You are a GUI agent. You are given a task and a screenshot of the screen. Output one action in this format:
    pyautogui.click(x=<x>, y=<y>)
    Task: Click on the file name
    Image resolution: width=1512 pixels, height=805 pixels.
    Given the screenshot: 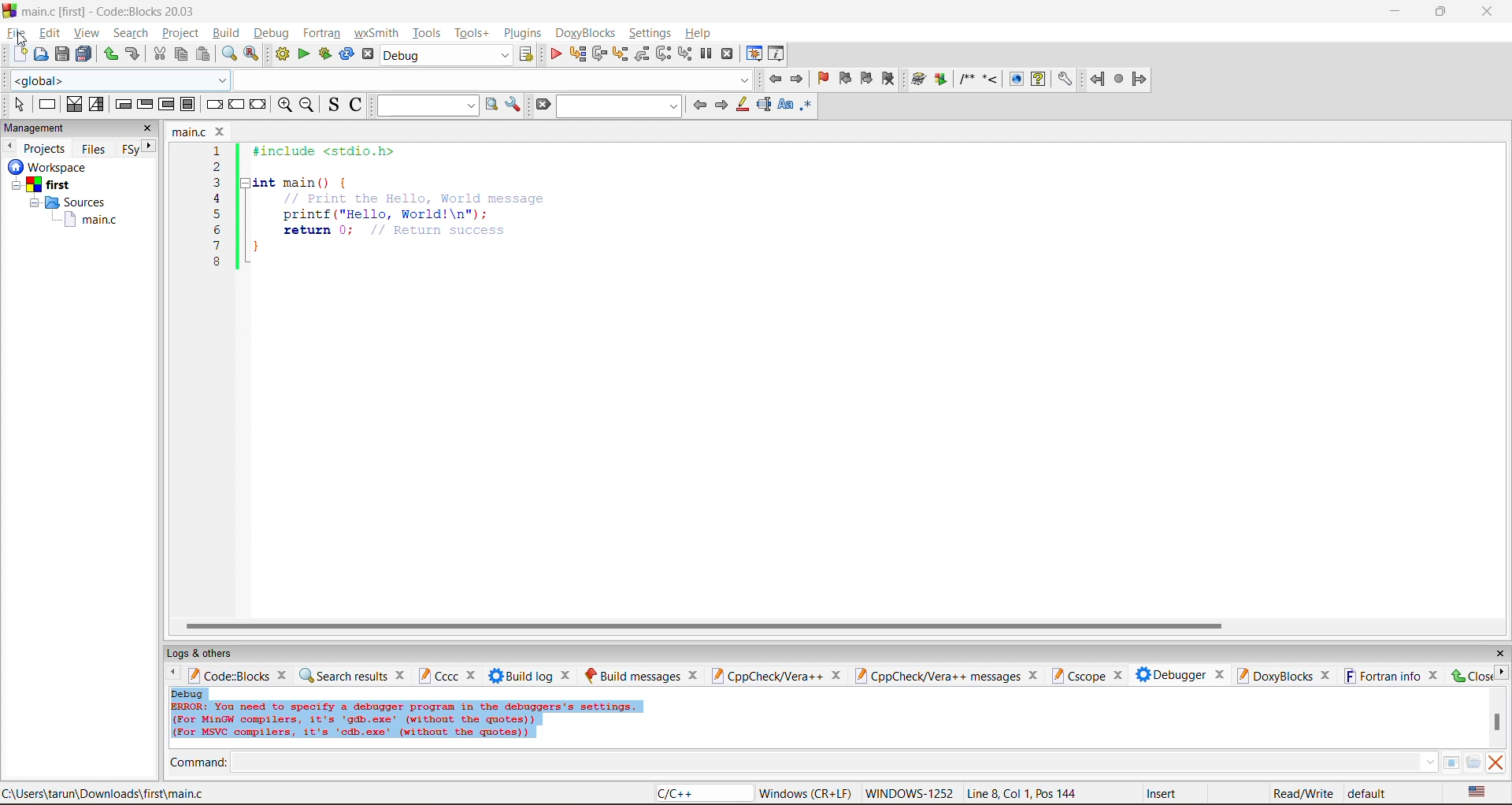 What is the action you would take?
    pyautogui.click(x=191, y=132)
    